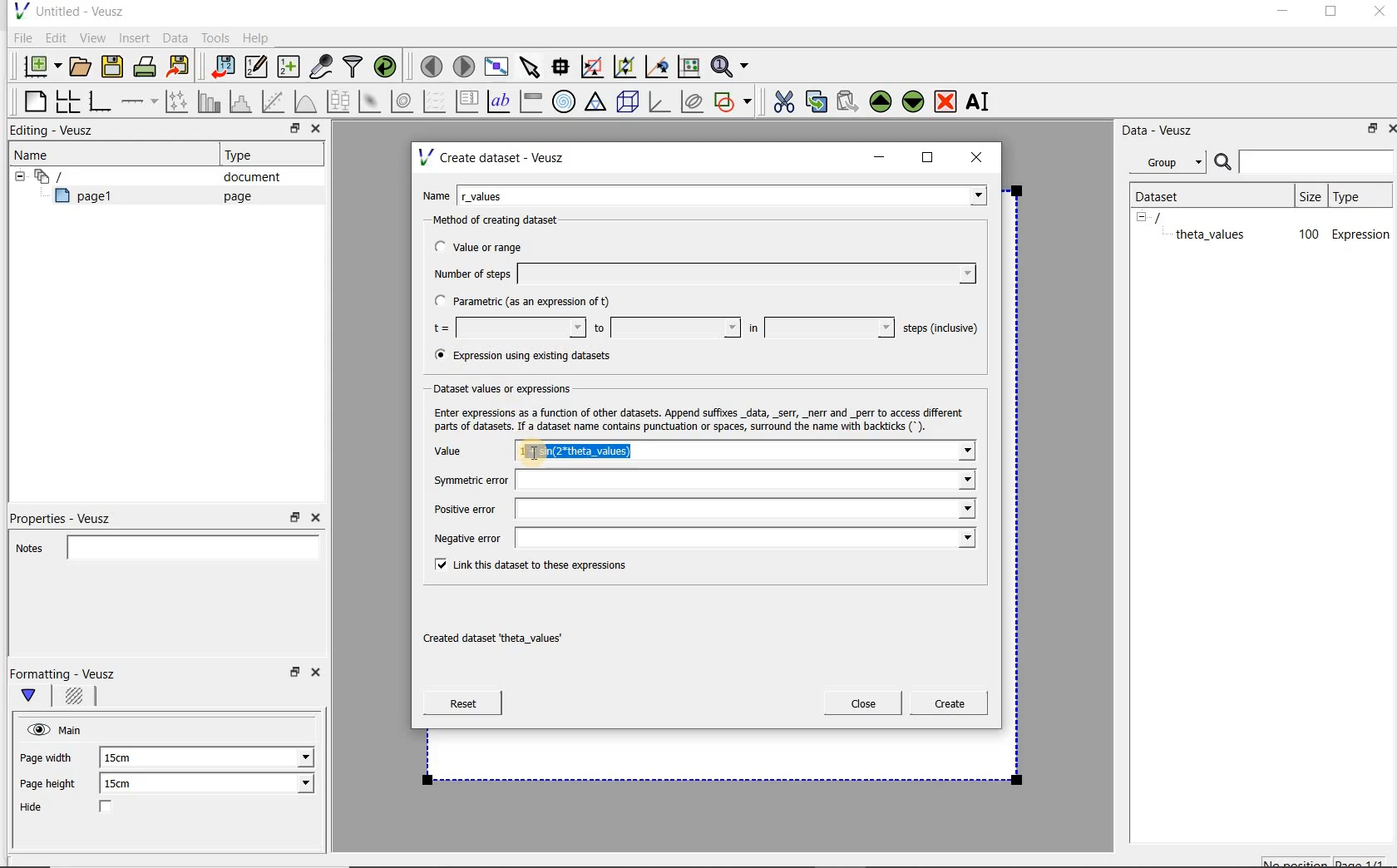  What do you see at coordinates (136, 37) in the screenshot?
I see `Insert` at bounding box center [136, 37].